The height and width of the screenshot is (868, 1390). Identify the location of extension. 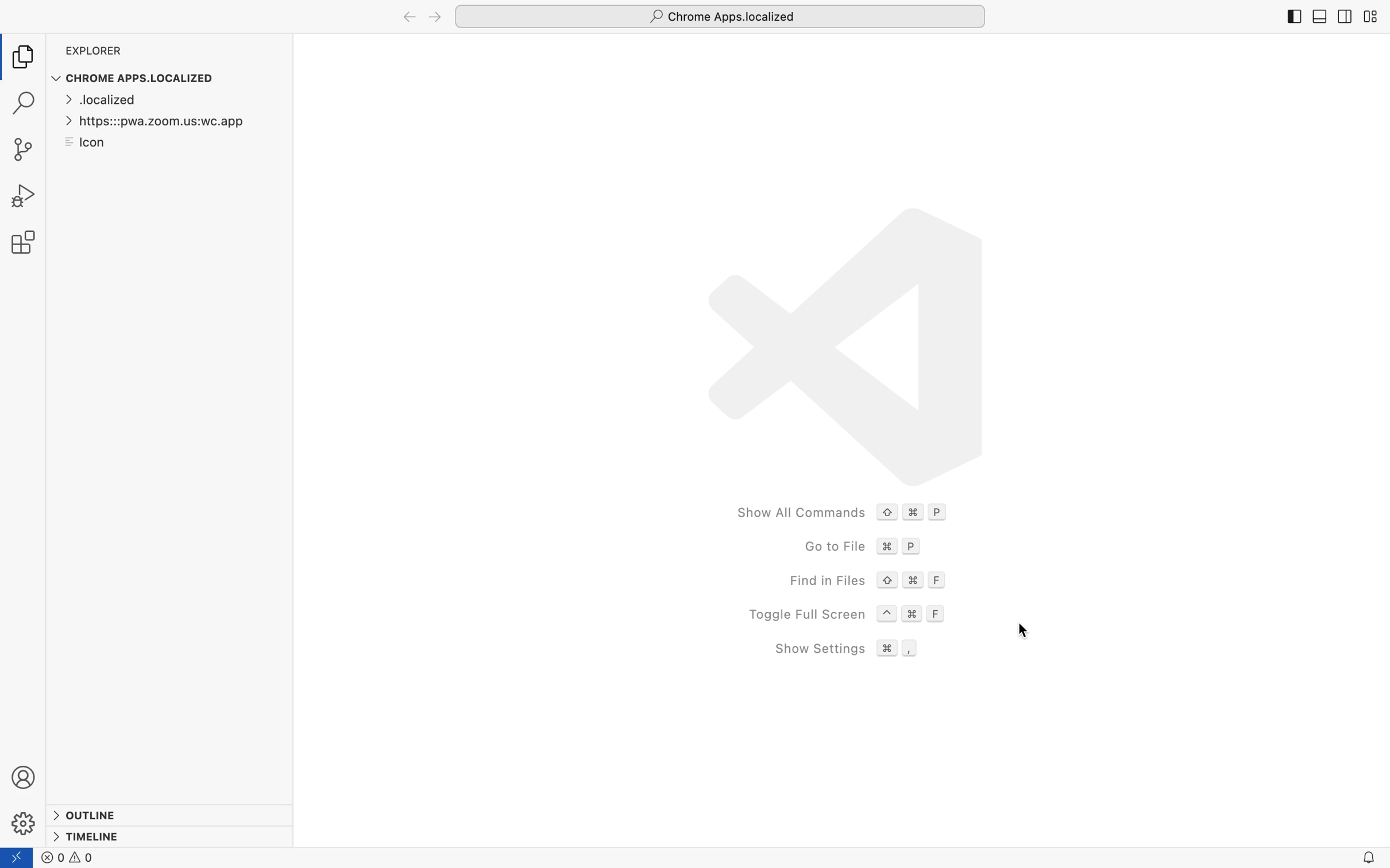
(27, 241).